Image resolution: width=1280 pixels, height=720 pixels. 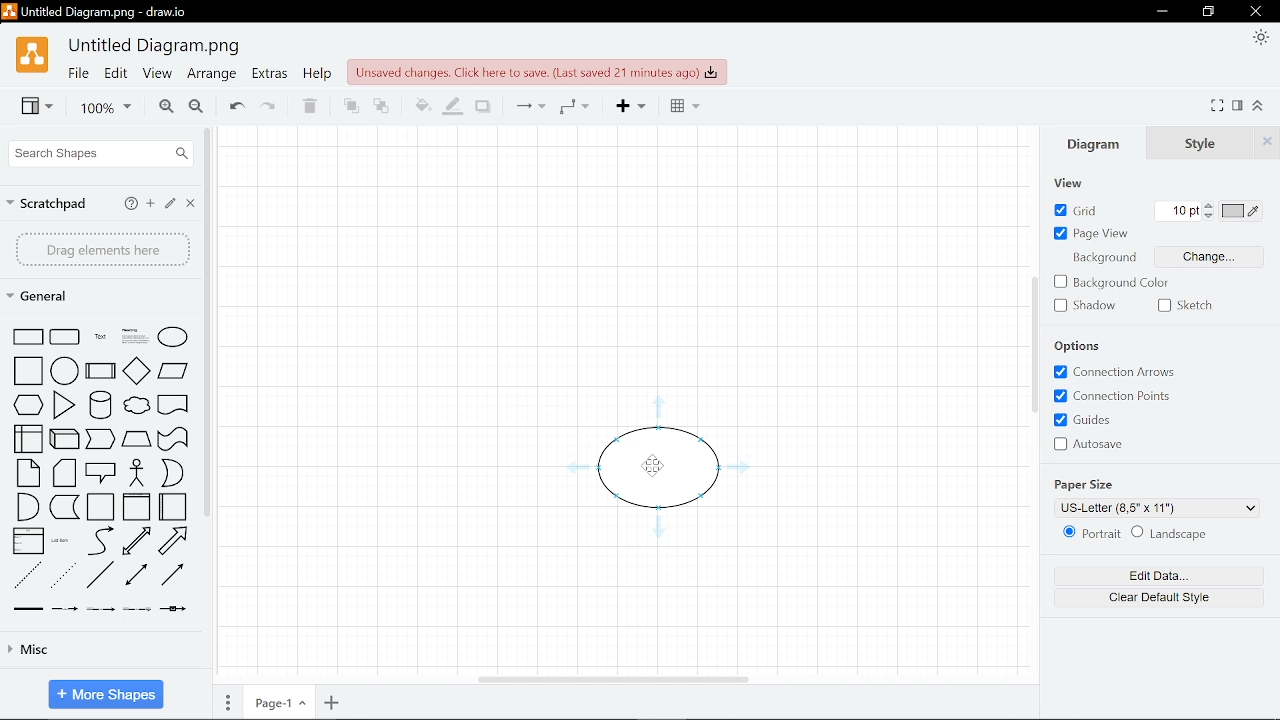 I want to click on Drag elements here, so click(x=104, y=250).